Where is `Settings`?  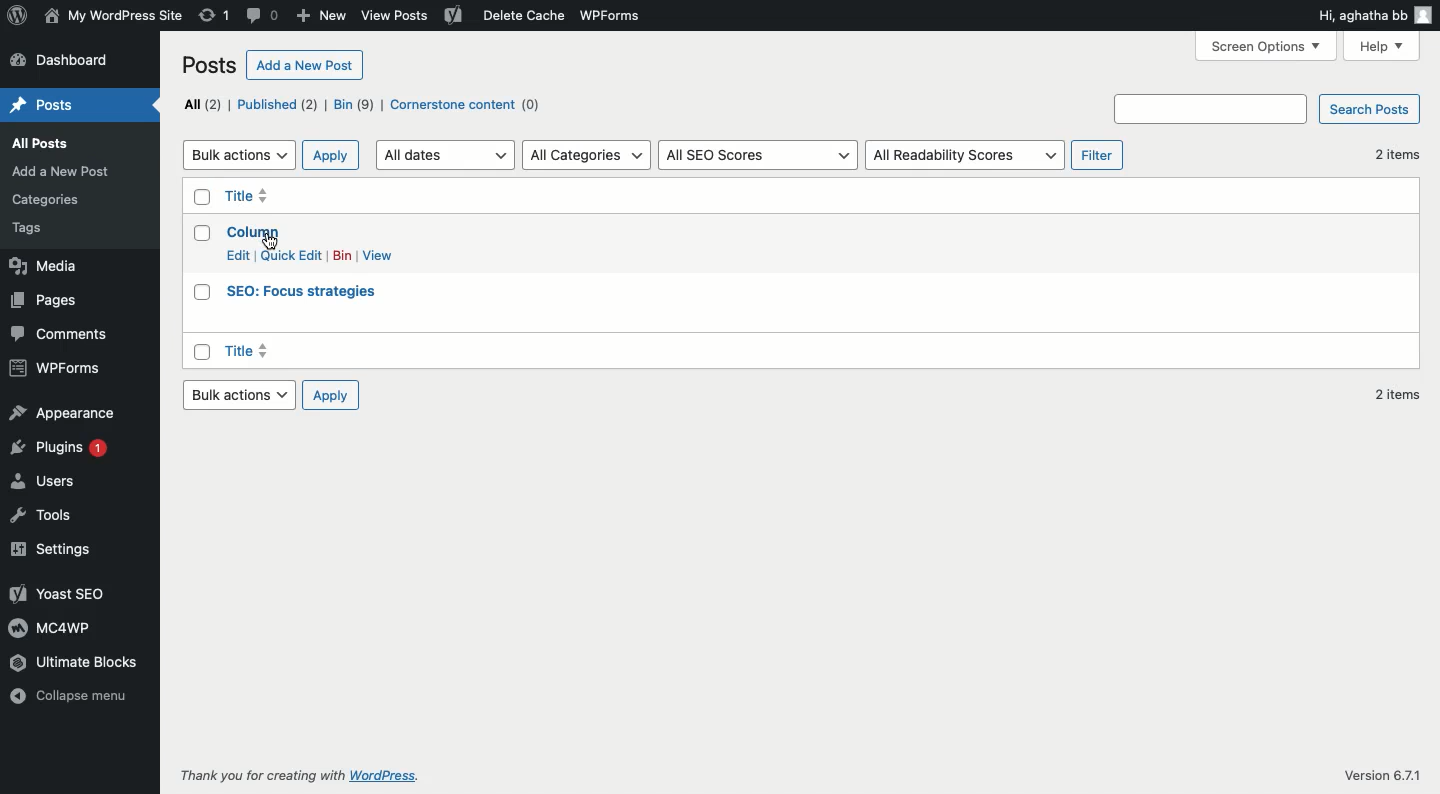 Settings is located at coordinates (52, 547).